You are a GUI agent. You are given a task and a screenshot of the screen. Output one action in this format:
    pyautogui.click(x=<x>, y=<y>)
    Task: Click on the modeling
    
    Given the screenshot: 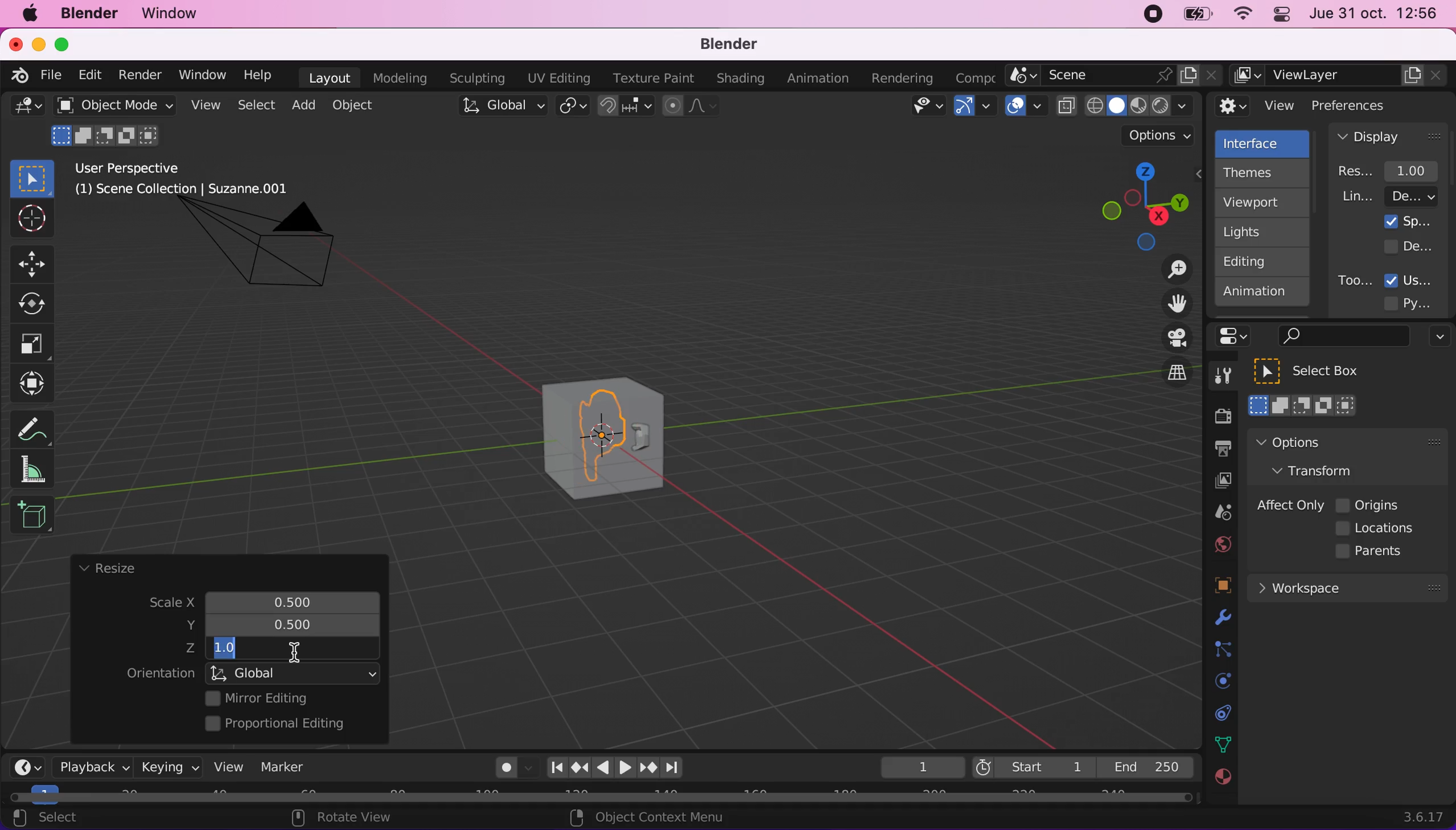 What is the action you would take?
    pyautogui.click(x=398, y=79)
    